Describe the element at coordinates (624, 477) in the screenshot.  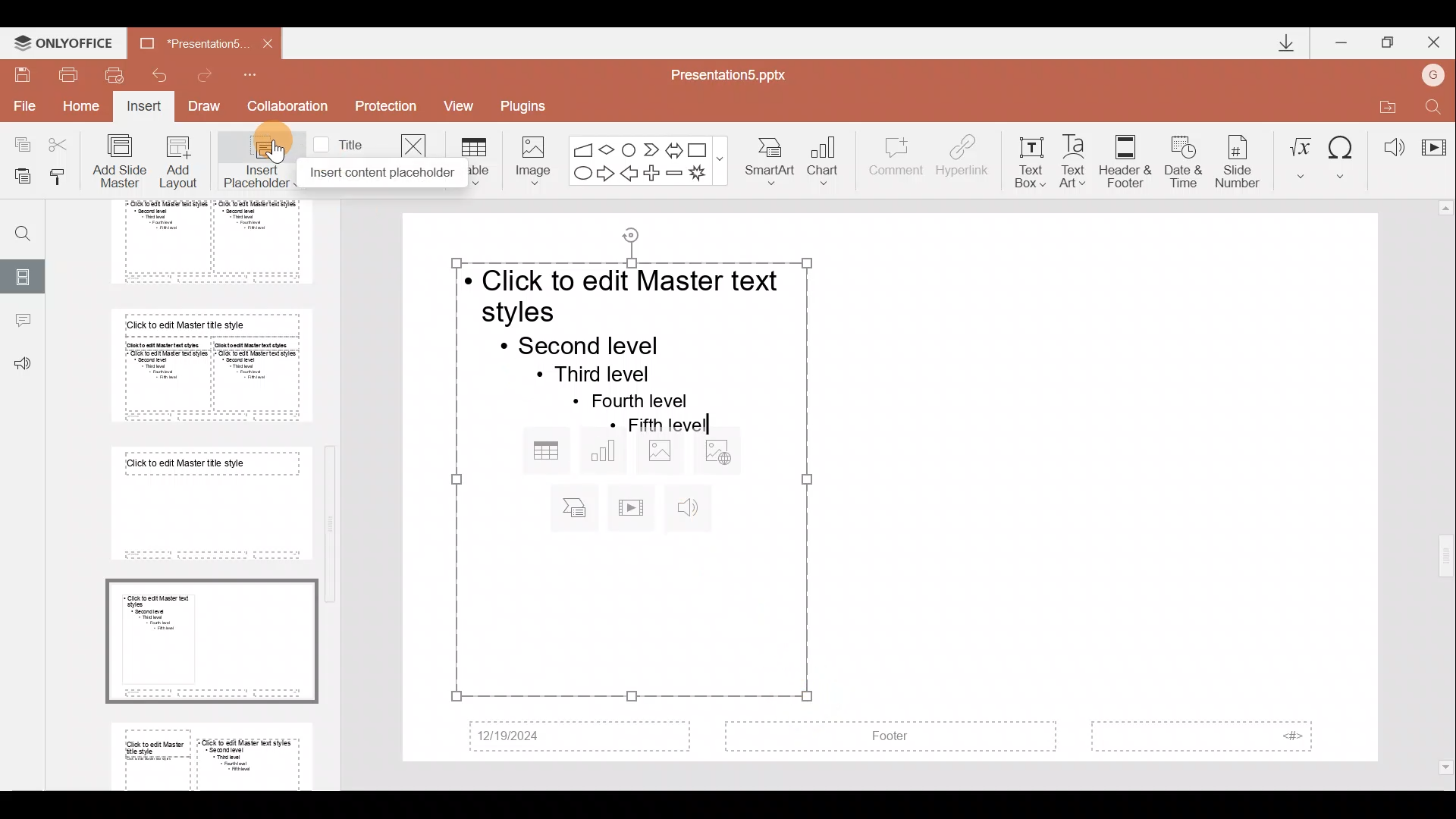
I see `Inserted placeholder on presentation slide` at that location.